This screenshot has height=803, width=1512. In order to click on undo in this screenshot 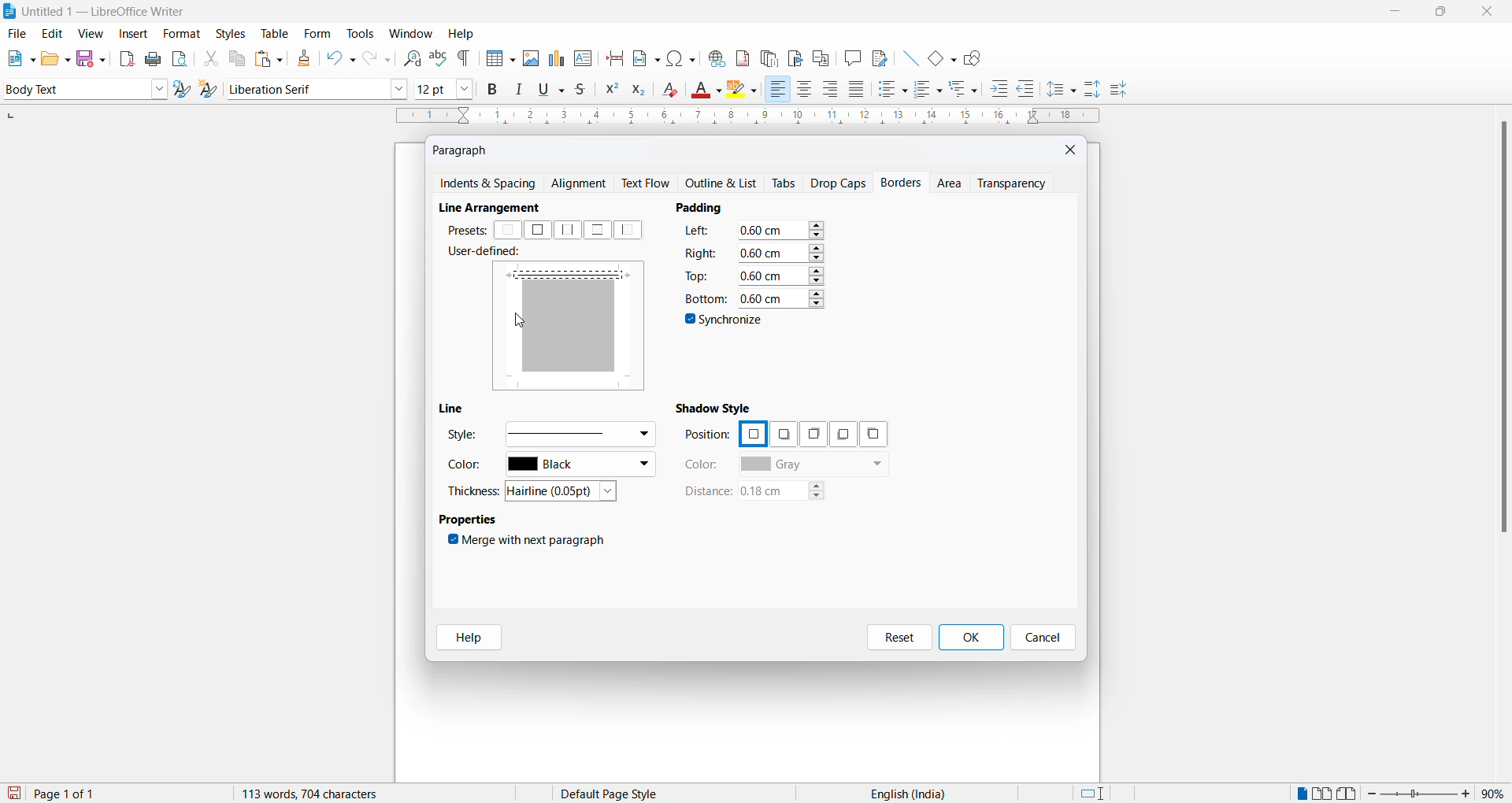, I will do `click(338, 58)`.